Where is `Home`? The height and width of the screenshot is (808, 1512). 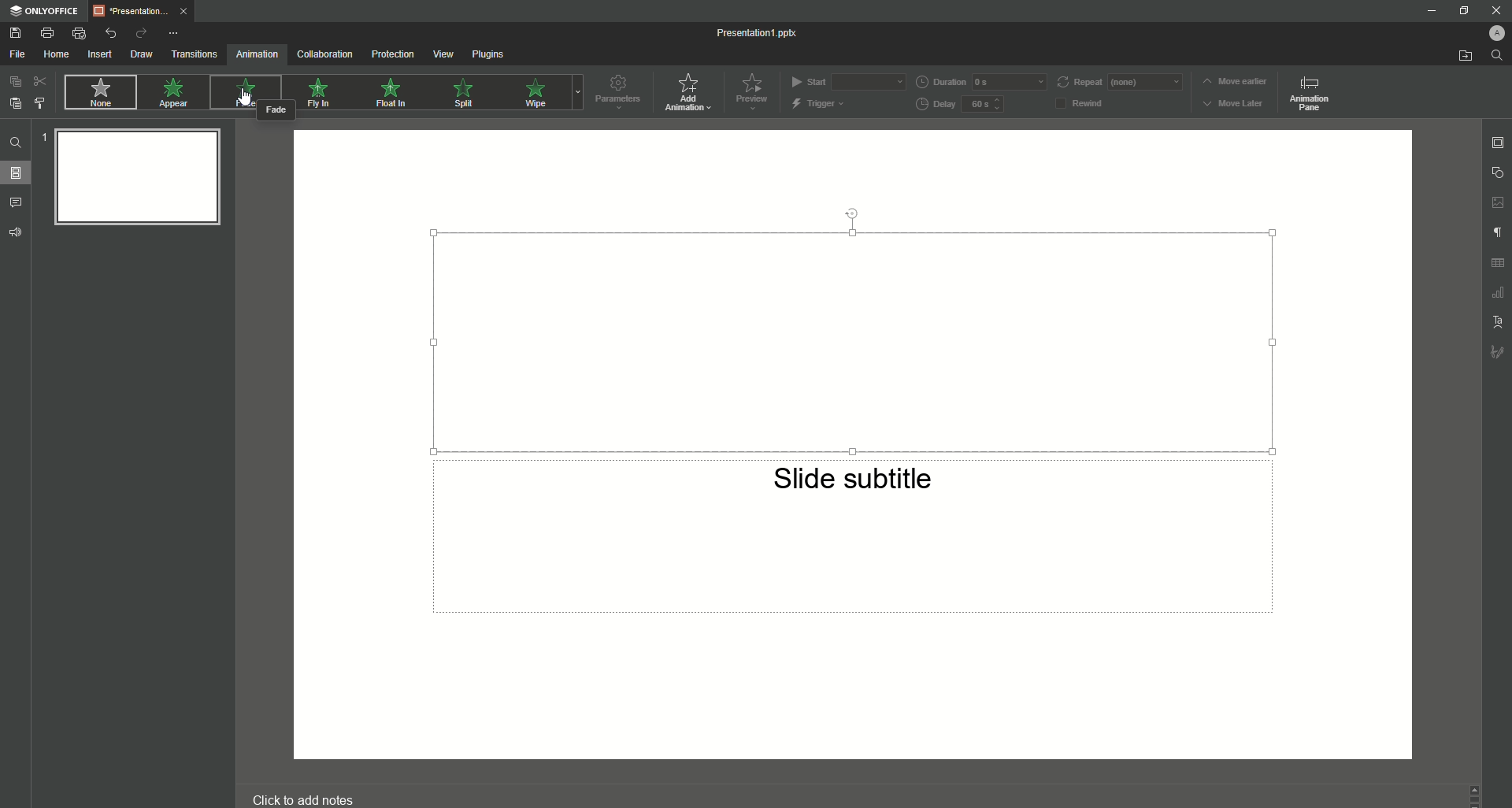
Home is located at coordinates (52, 54).